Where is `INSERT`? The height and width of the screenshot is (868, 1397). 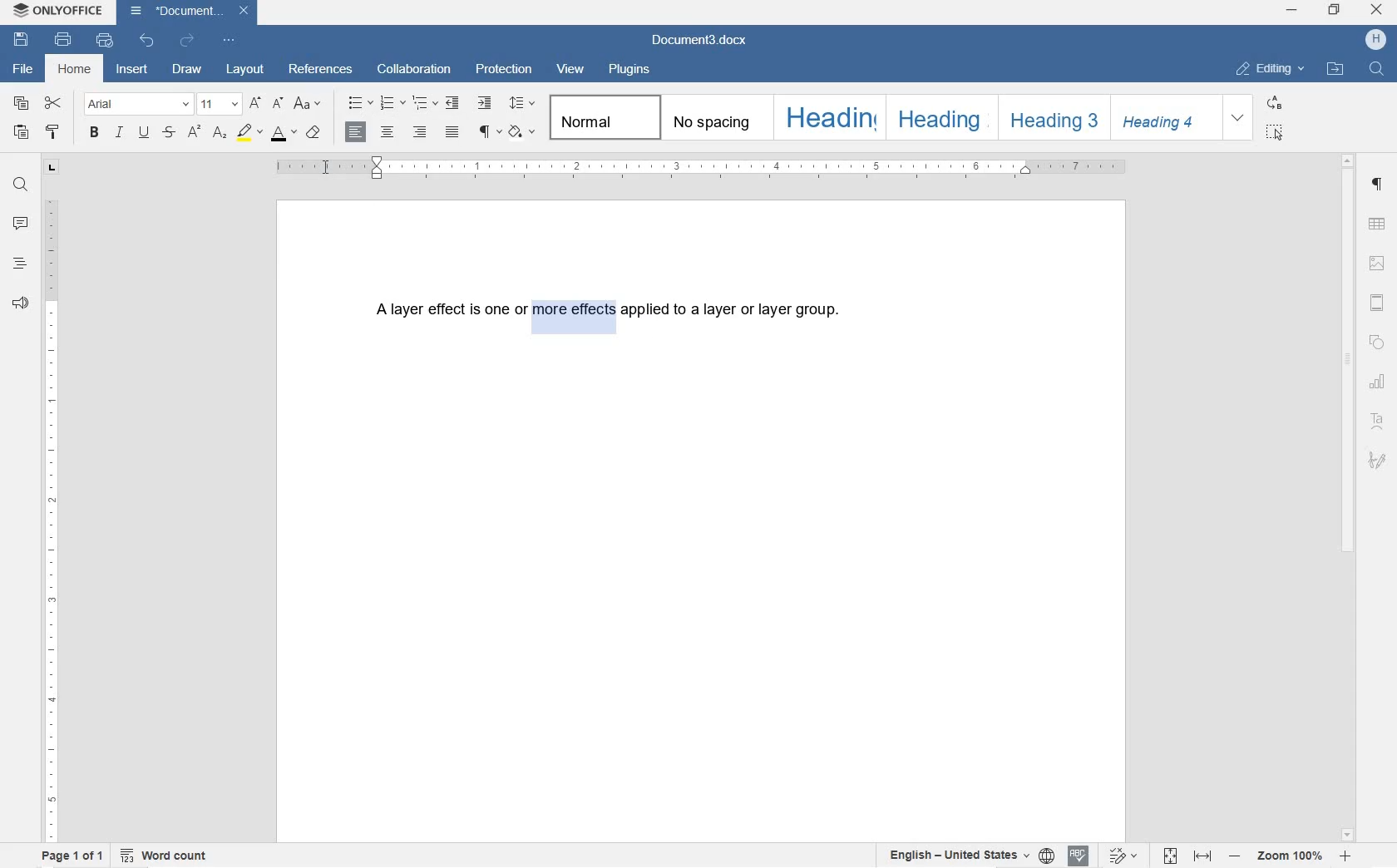 INSERT is located at coordinates (133, 72).